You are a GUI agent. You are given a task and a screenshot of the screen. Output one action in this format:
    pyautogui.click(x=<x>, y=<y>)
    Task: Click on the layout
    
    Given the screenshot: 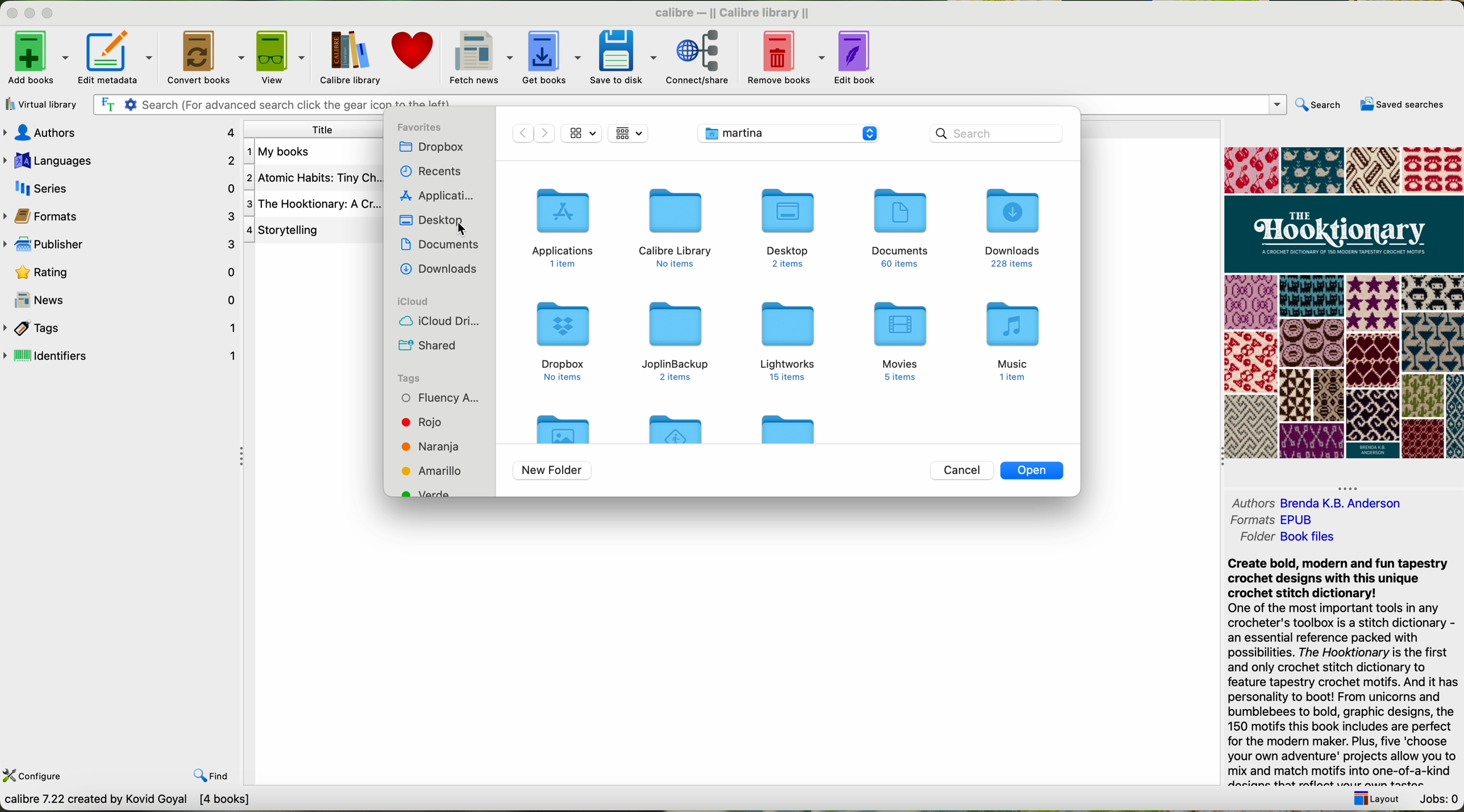 What is the action you would take?
    pyautogui.click(x=1373, y=798)
    